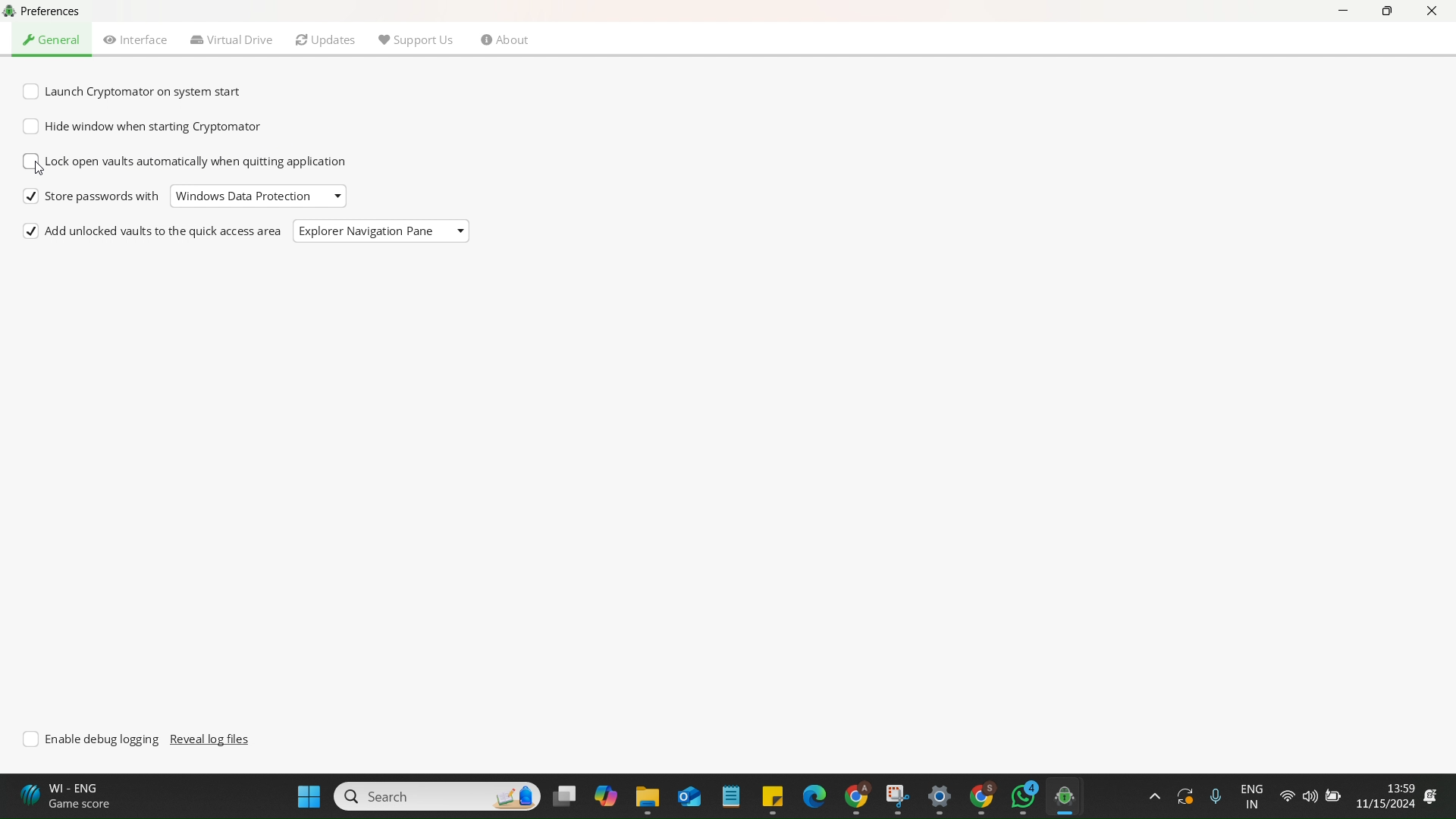 The width and height of the screenshot is (1456, 819). I want to click on File Explorer, so click(645, 799).